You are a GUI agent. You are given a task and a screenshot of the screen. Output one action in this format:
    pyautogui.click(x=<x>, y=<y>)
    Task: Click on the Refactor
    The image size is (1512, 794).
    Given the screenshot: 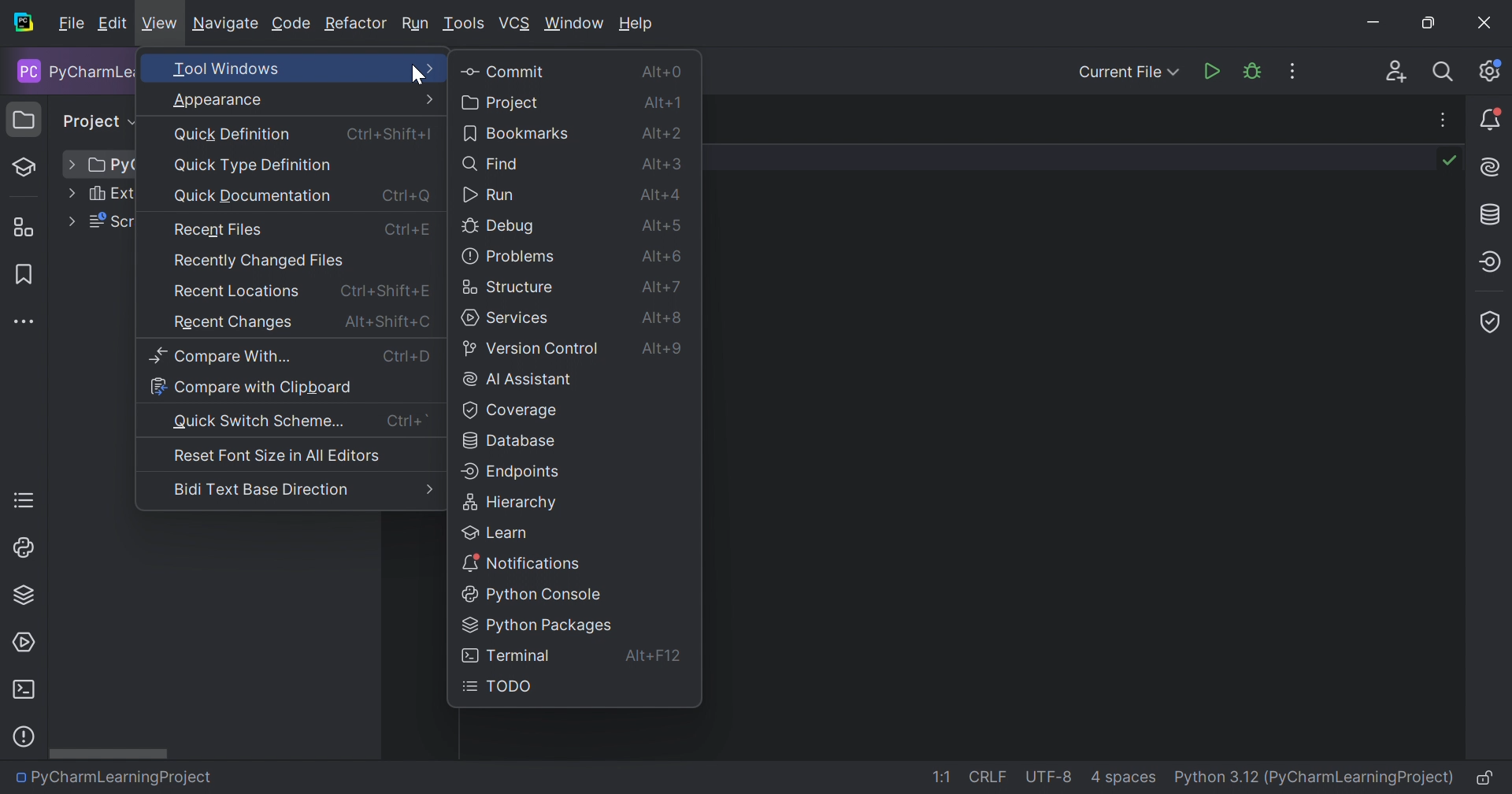 What is the action you would take?
    pyautogui.click(x=355, y=25)
    